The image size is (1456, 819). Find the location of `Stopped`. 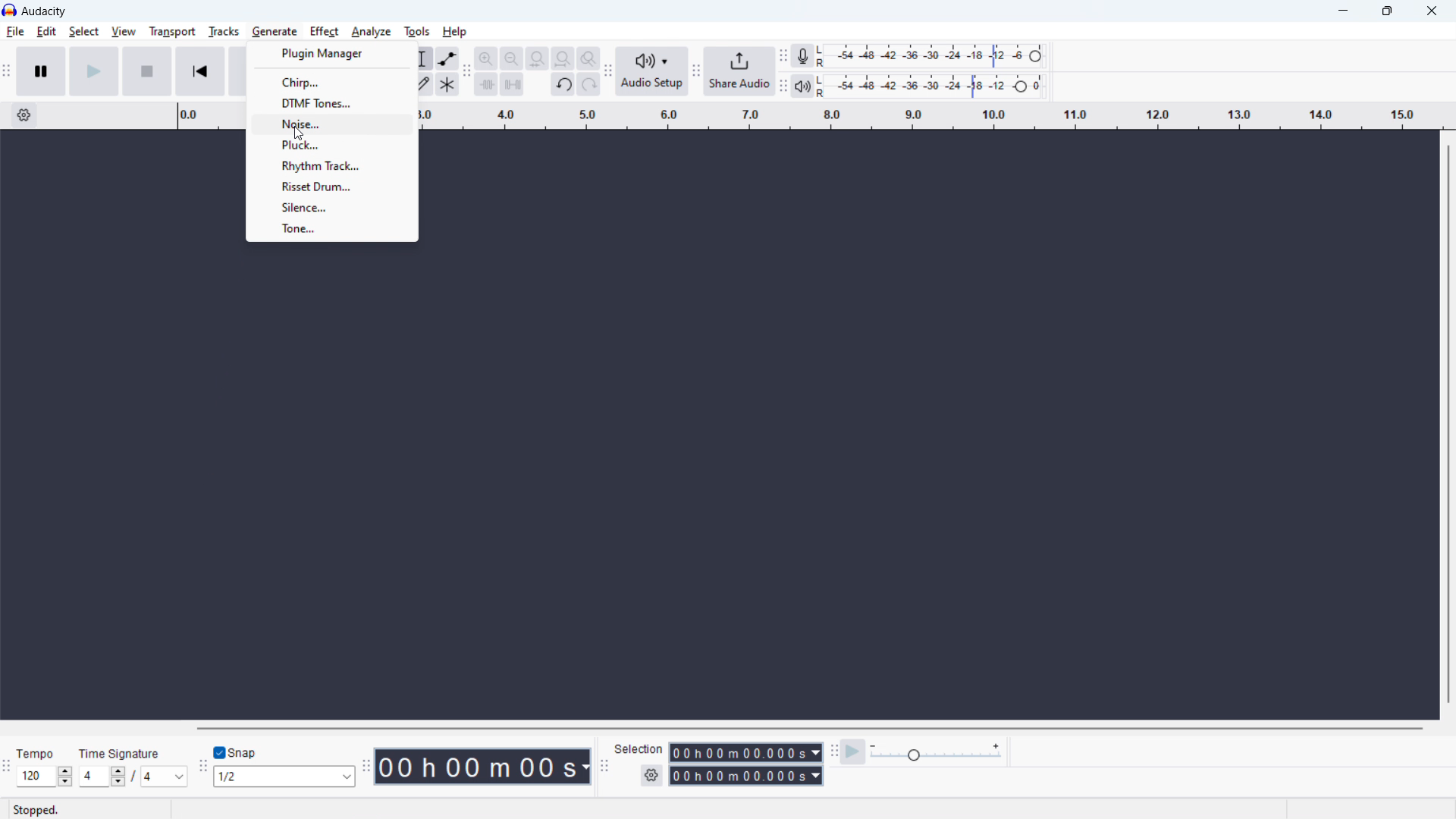

Stopped is located at coordinates (36, 809).